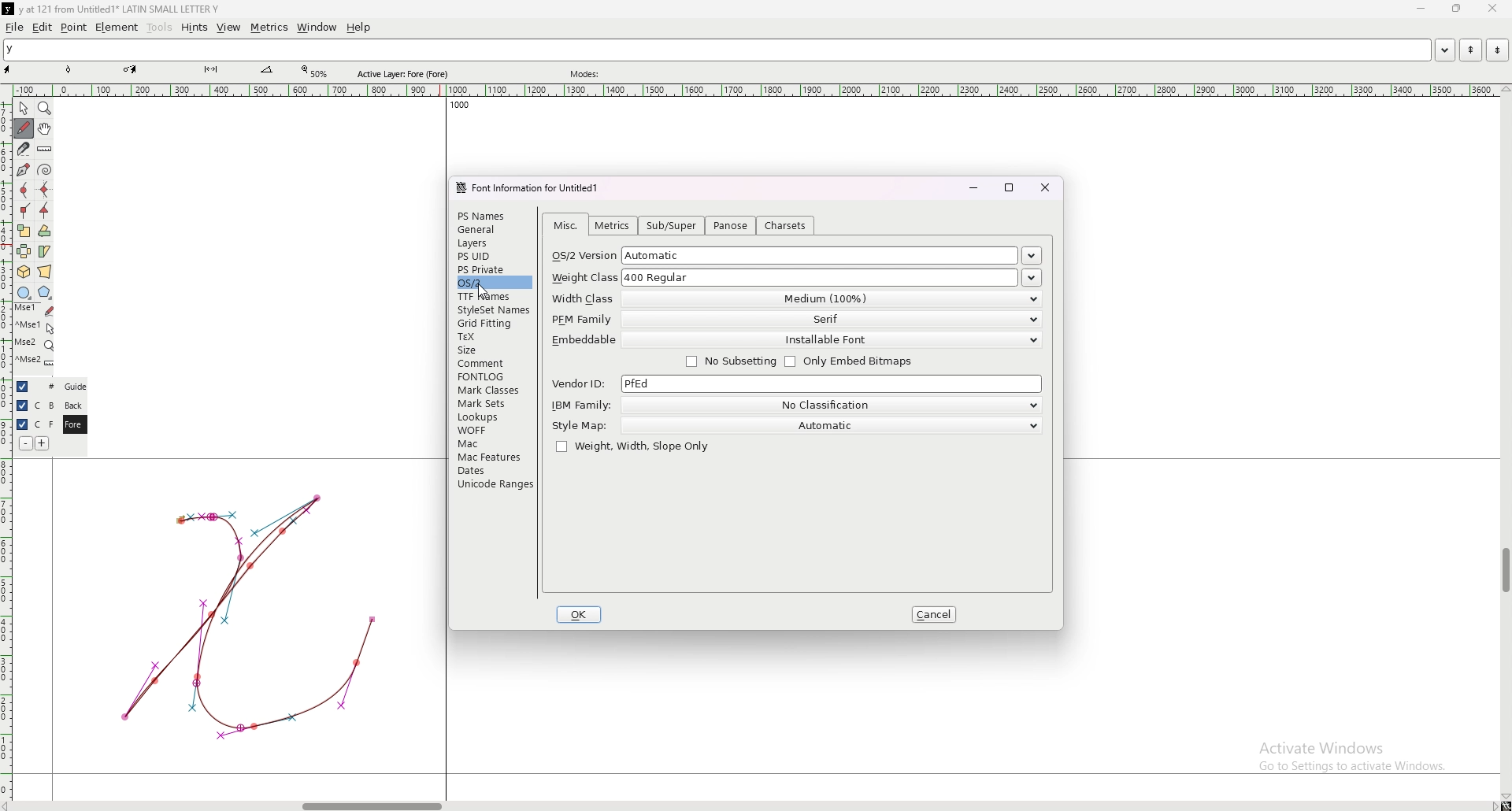 The height and width of the screenshot is (811, 1512). I want to click on minimize, so click(1423, 9).